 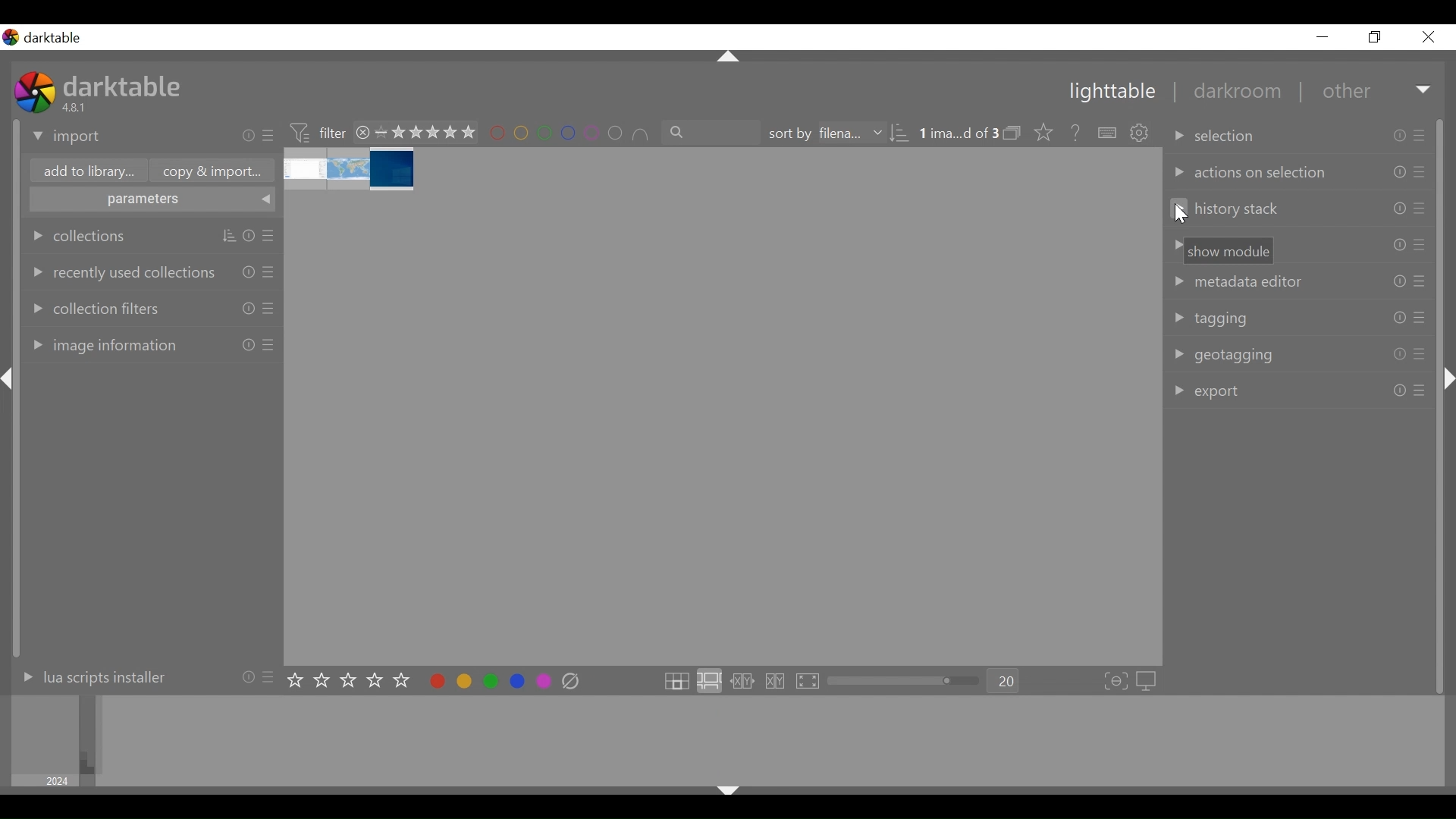 I want to click on Collapse , so click(x=730, y=58).